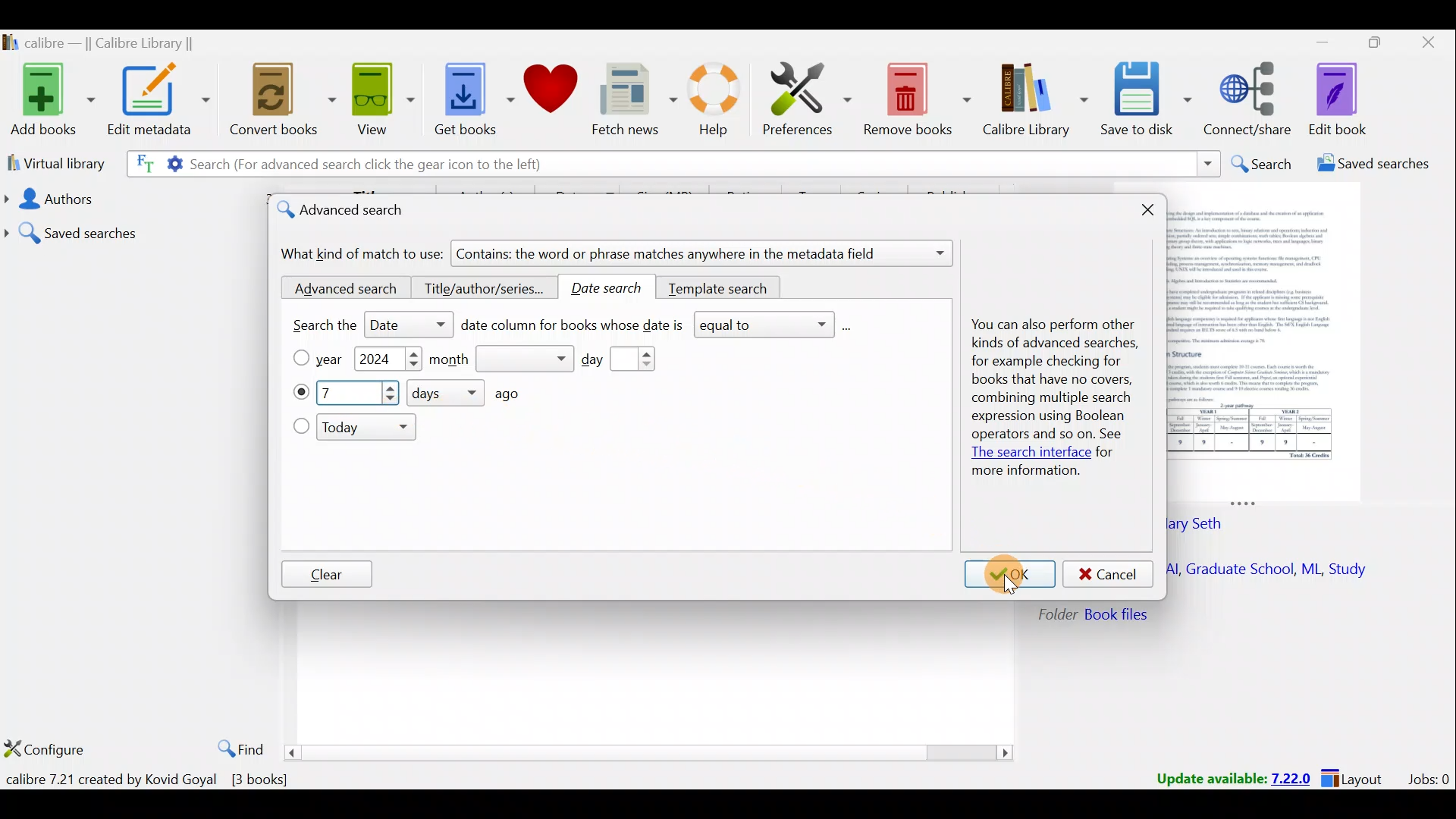 The height and width of the screenshot is (819, 1456). I want to click on Virtual library, so click(52, 162).